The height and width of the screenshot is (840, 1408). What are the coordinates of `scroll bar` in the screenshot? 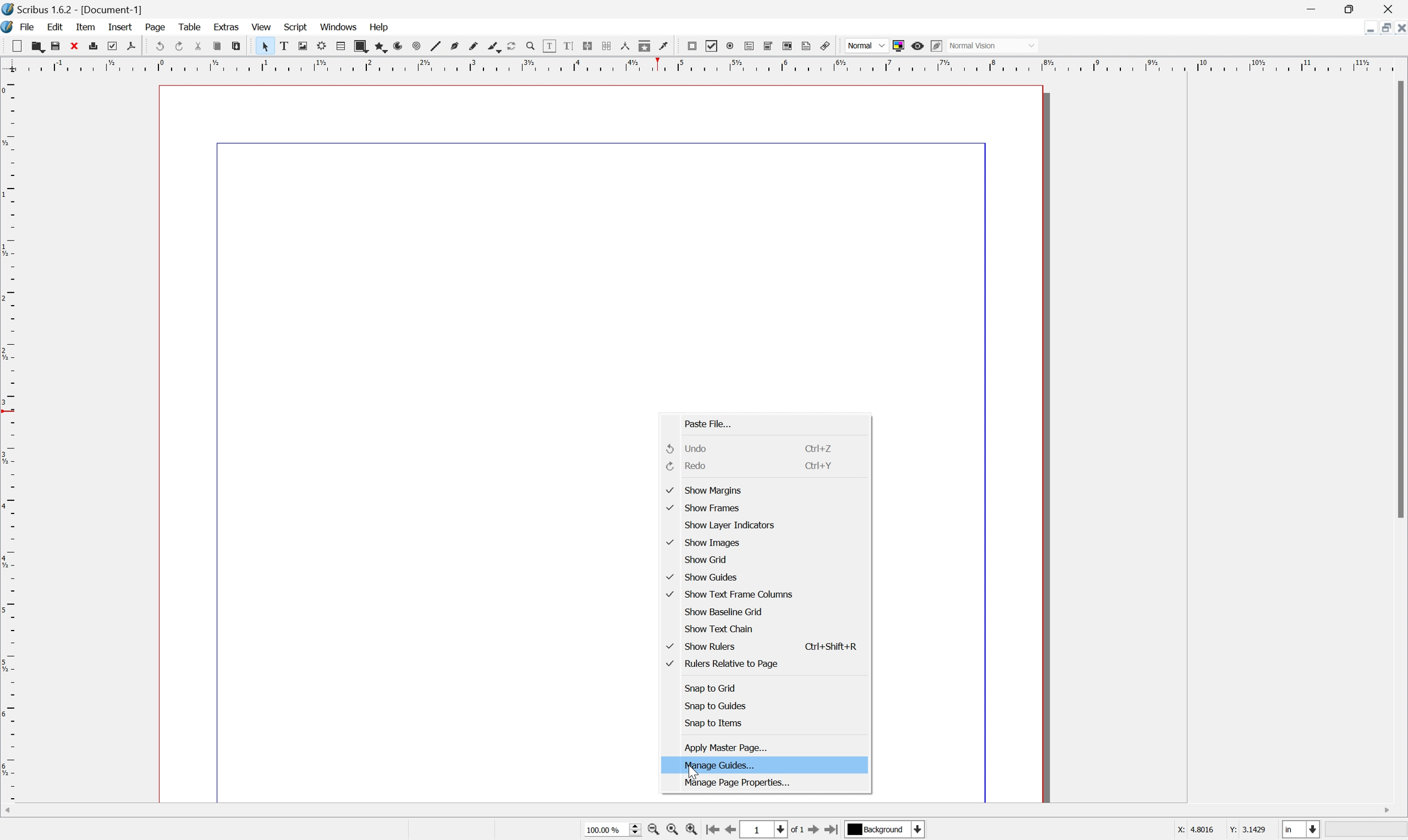 It's located at (700, 811).